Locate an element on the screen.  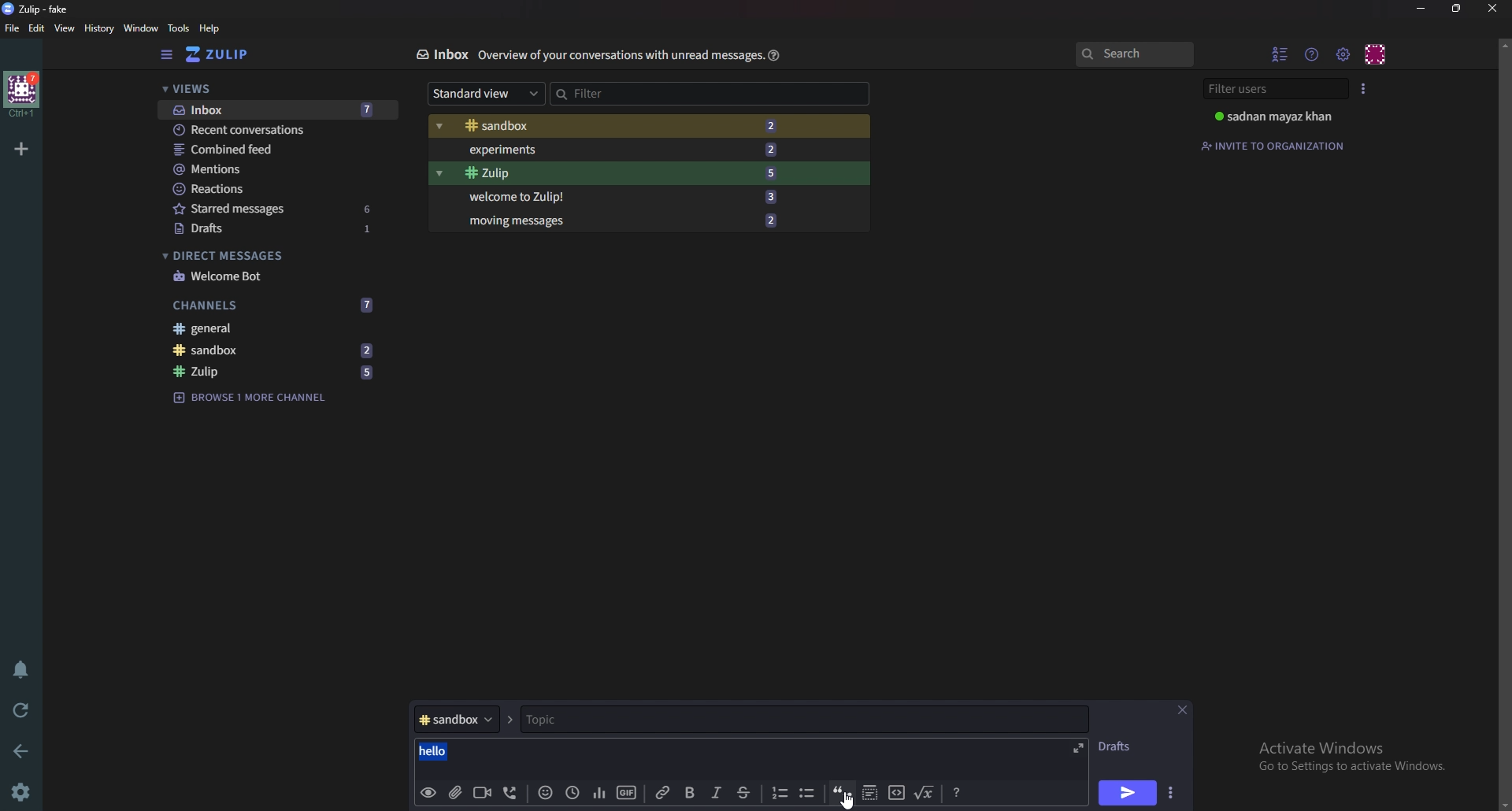
Bullet list is located at coordinates (807, 794).